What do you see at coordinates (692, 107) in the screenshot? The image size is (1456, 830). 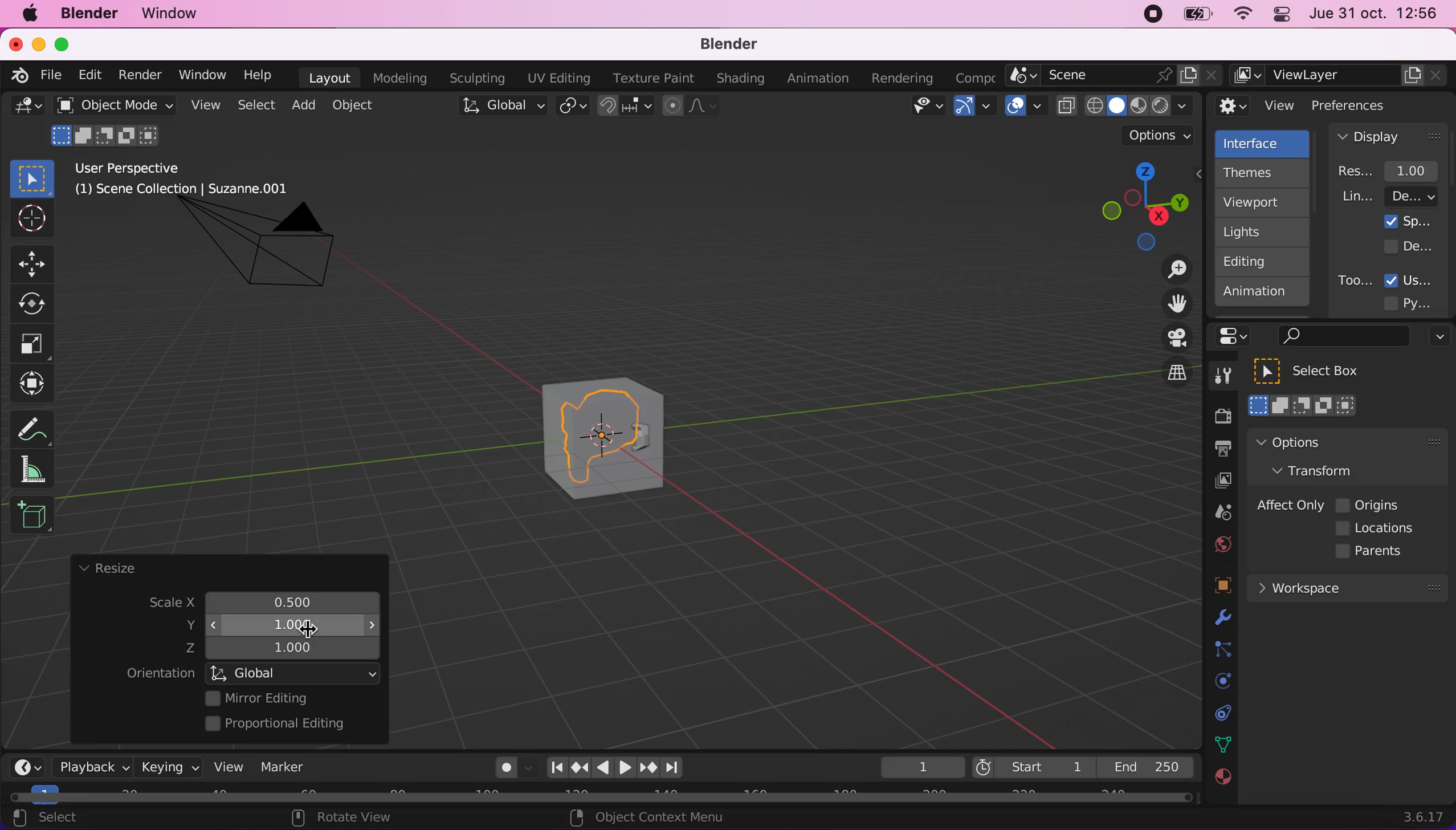 I see `proportional editing objects` at bounding box center [692, 107].